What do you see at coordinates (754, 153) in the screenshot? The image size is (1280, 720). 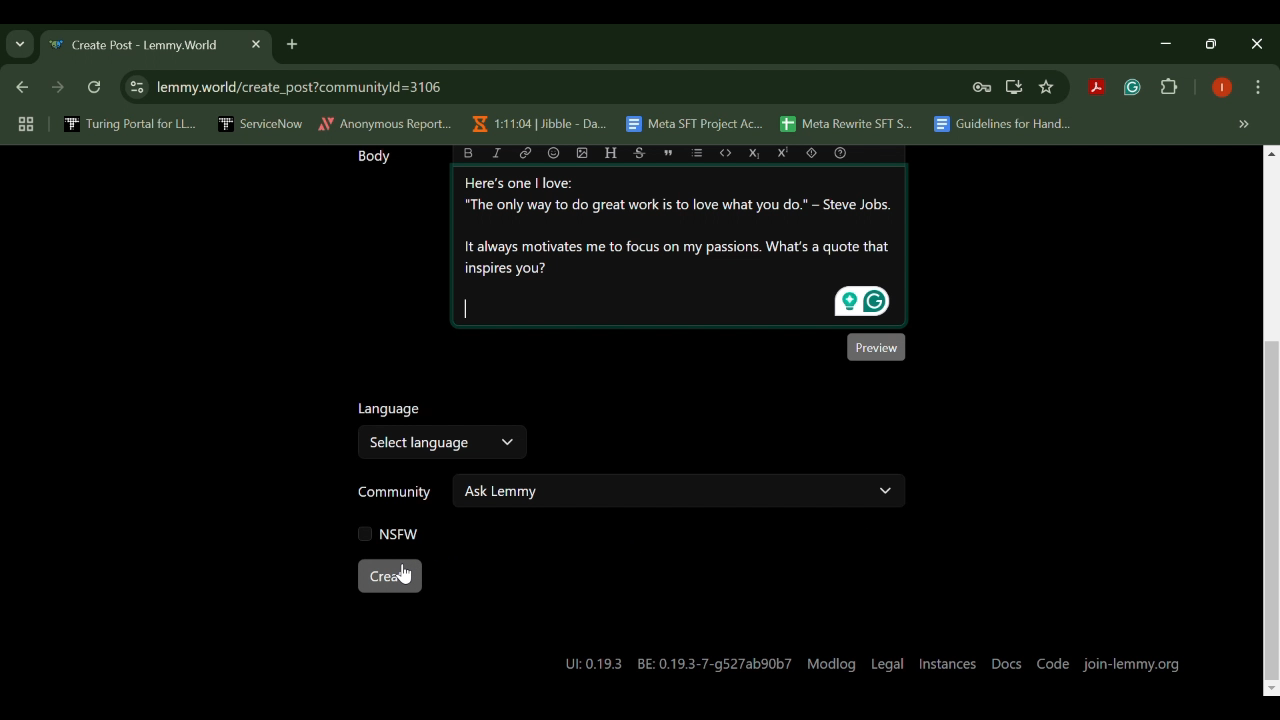 I see `Subscript` at bounding box center [754, 153].